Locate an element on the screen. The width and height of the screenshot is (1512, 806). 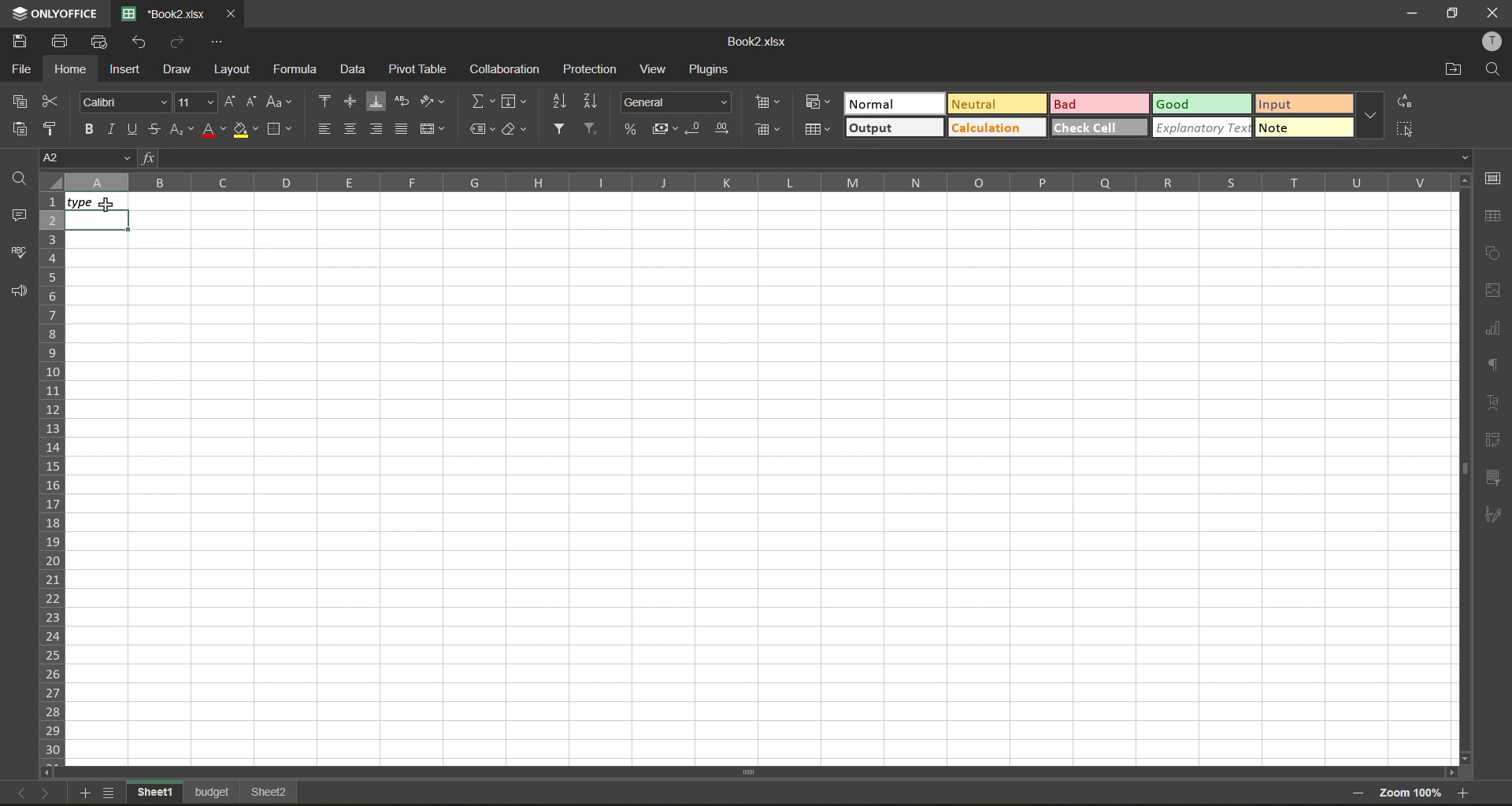
sub/superscript is located at coordinates (183, 130).